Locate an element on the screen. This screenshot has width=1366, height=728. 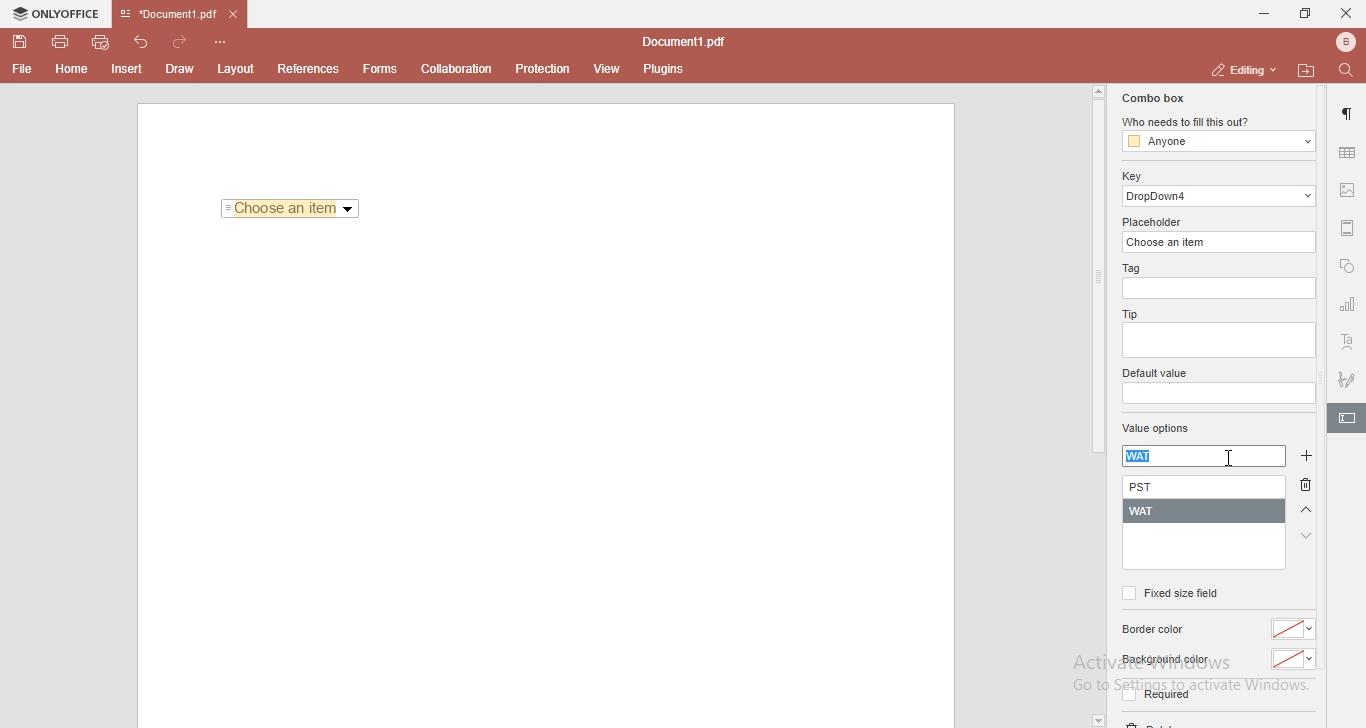
empty box is located at coordinates (1217, 342).